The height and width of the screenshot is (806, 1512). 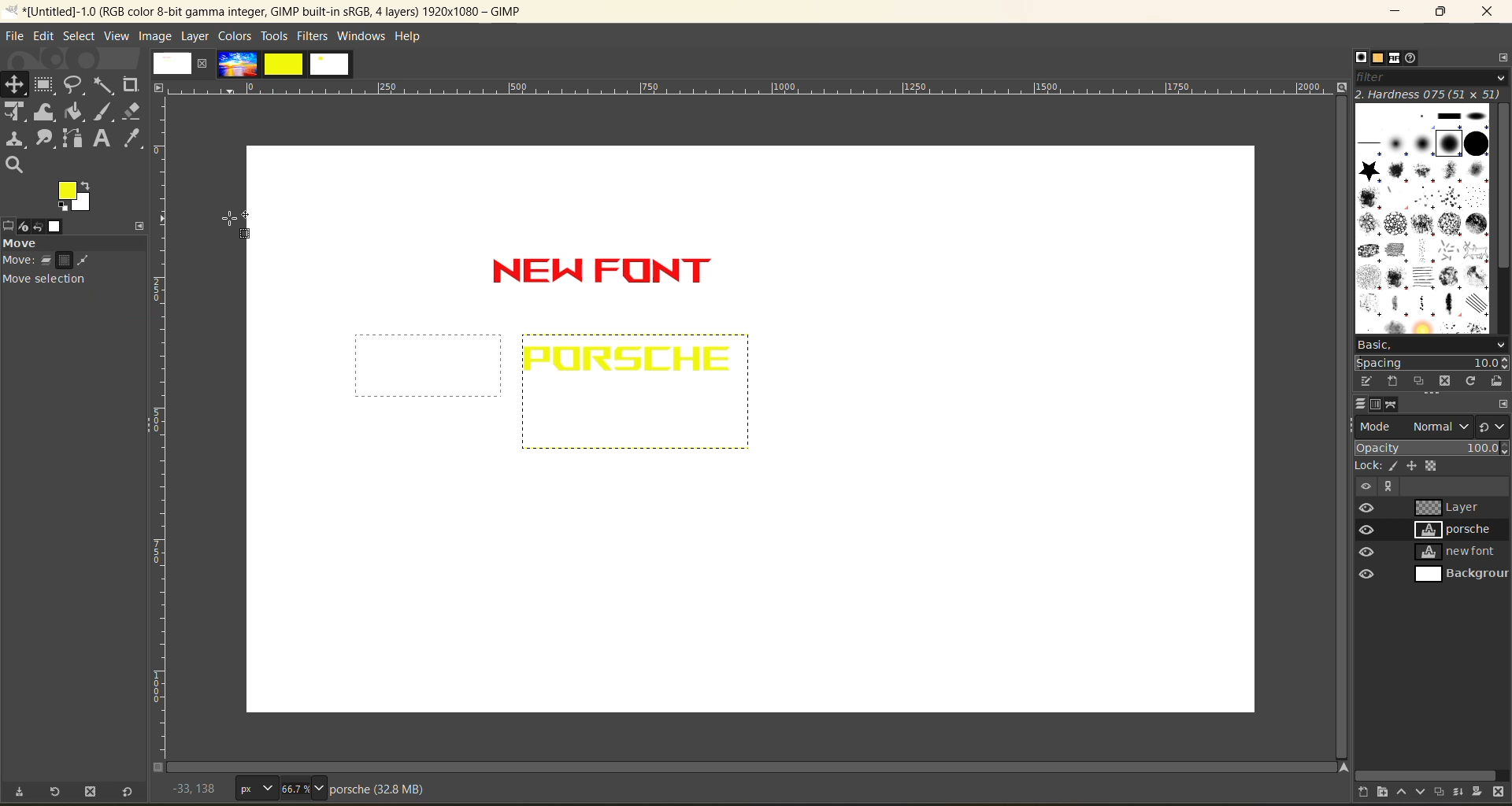 I want to click on delete layer, so click(x=1503, y=793).